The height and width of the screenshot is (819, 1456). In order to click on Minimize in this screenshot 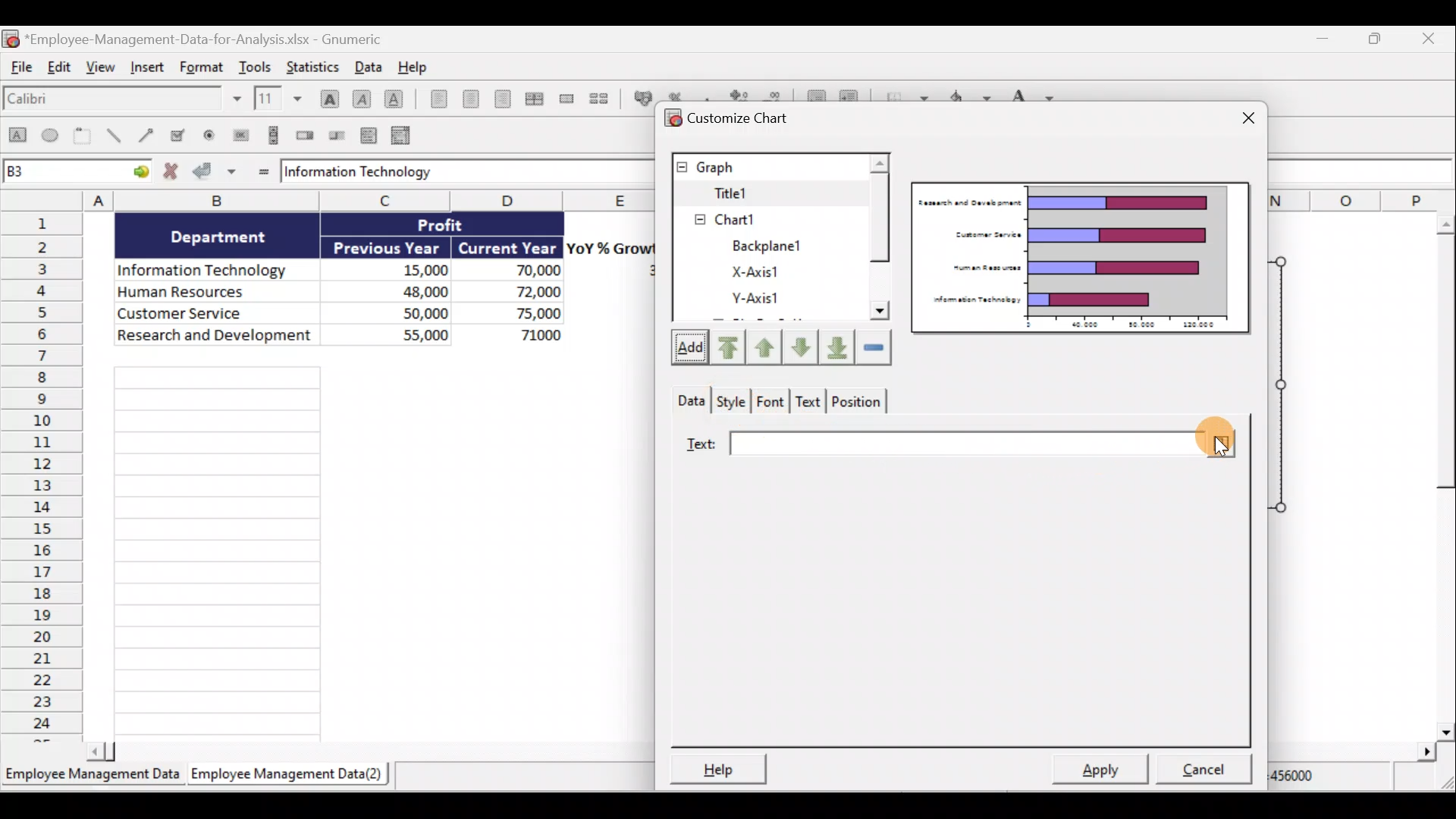, I will do `click(1322, 39)`.